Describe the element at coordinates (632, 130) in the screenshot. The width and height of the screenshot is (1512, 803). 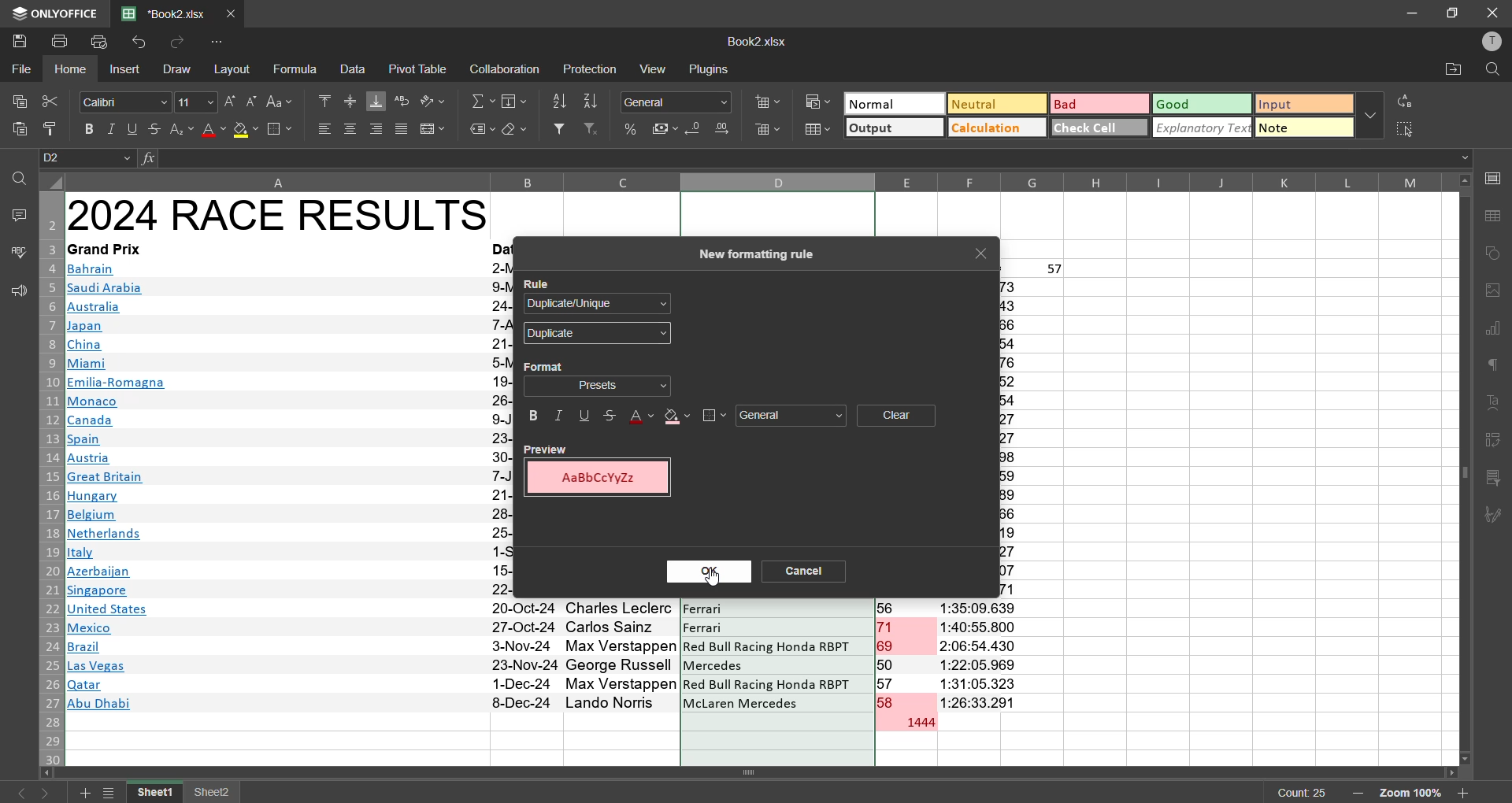
I see `percent` at that location.